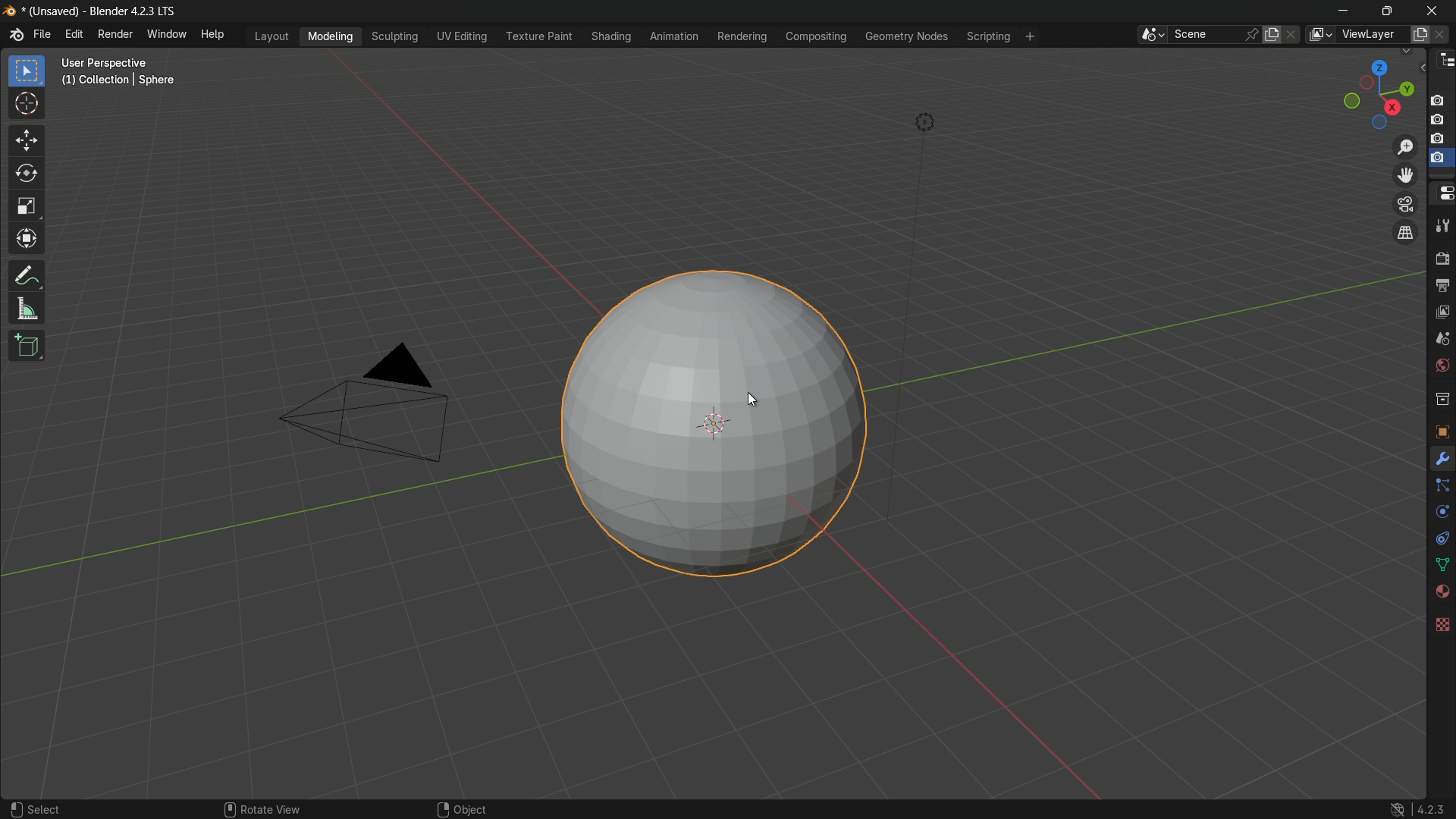 The height and width of the screenshot is (819, 1456). What do you see at coordinates (608, 35) in the screenshot?
I see `shading menu` at bounding box center [608, 35].